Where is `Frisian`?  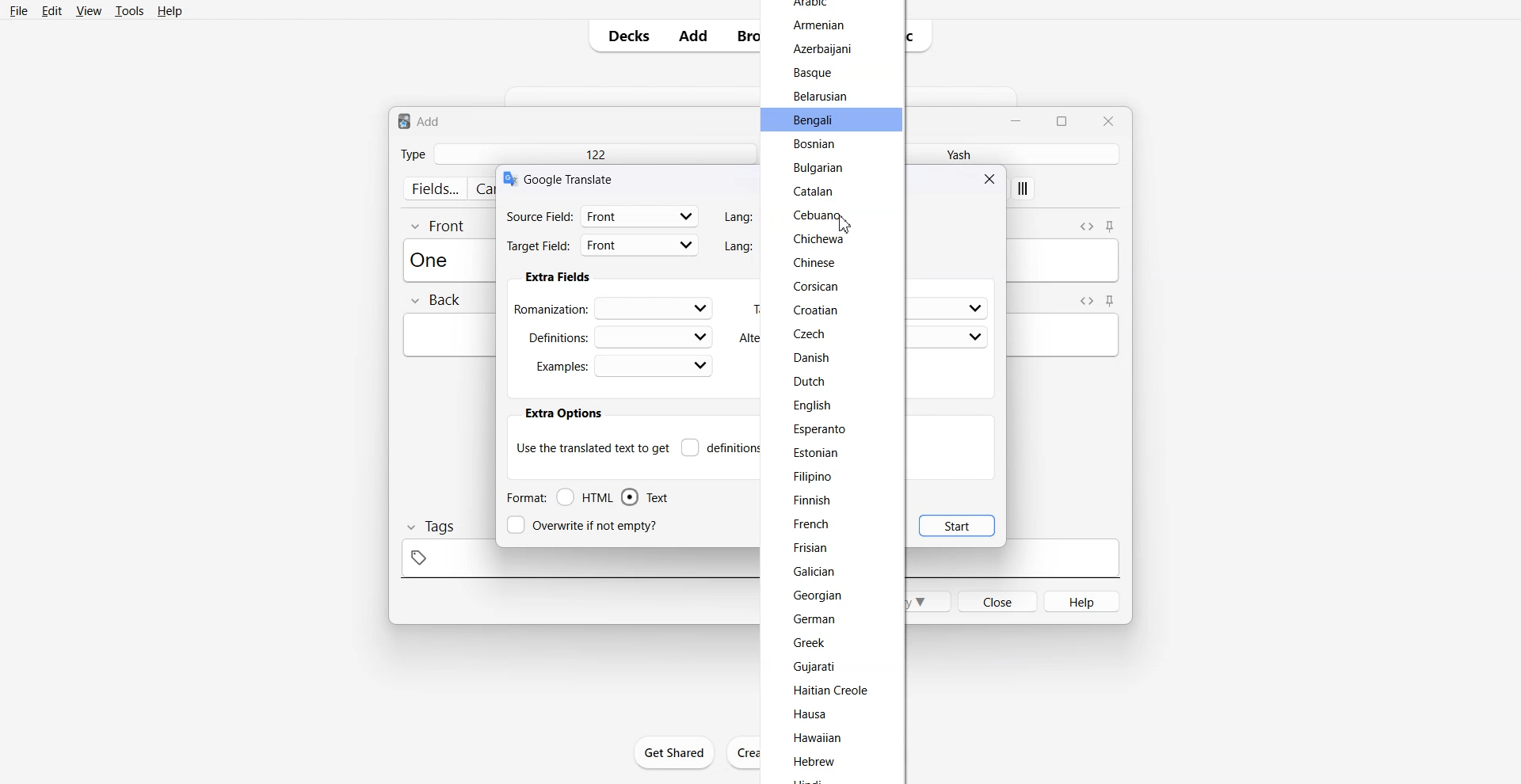 Frisian is located at coordinates (808, 548).